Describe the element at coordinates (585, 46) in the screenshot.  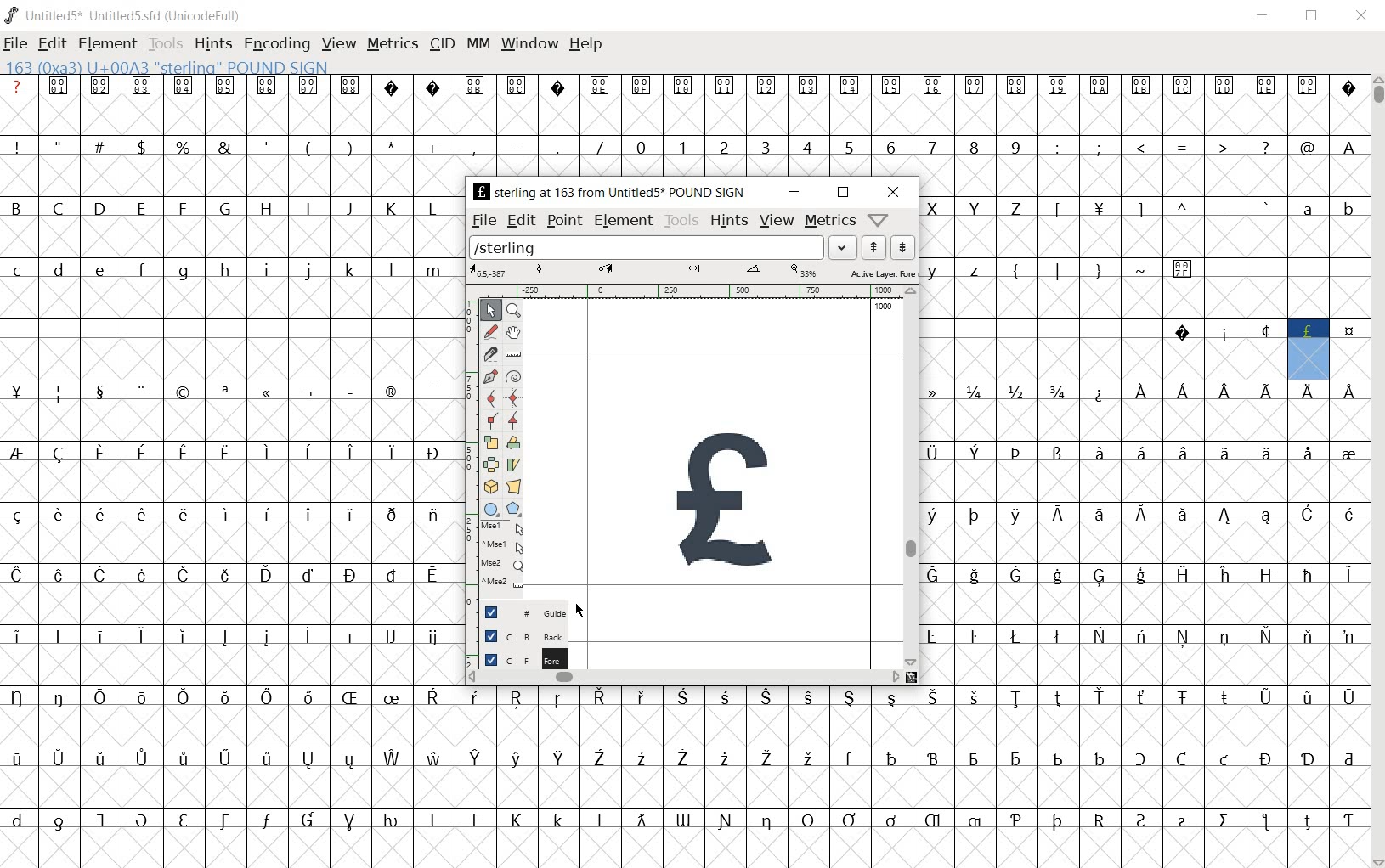
I see `HELP` at that location.